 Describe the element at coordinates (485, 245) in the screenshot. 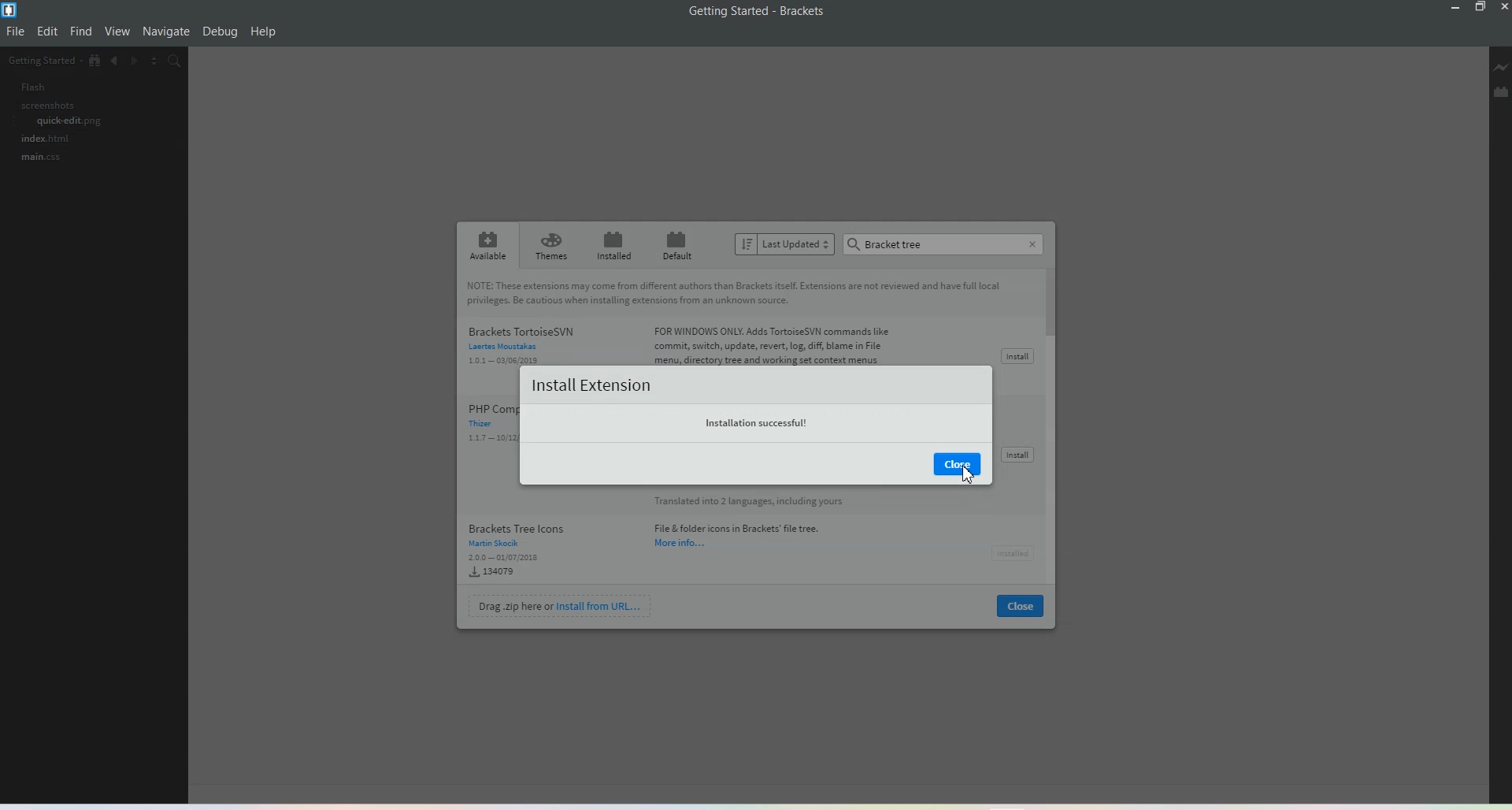

I see `Available` at that location.